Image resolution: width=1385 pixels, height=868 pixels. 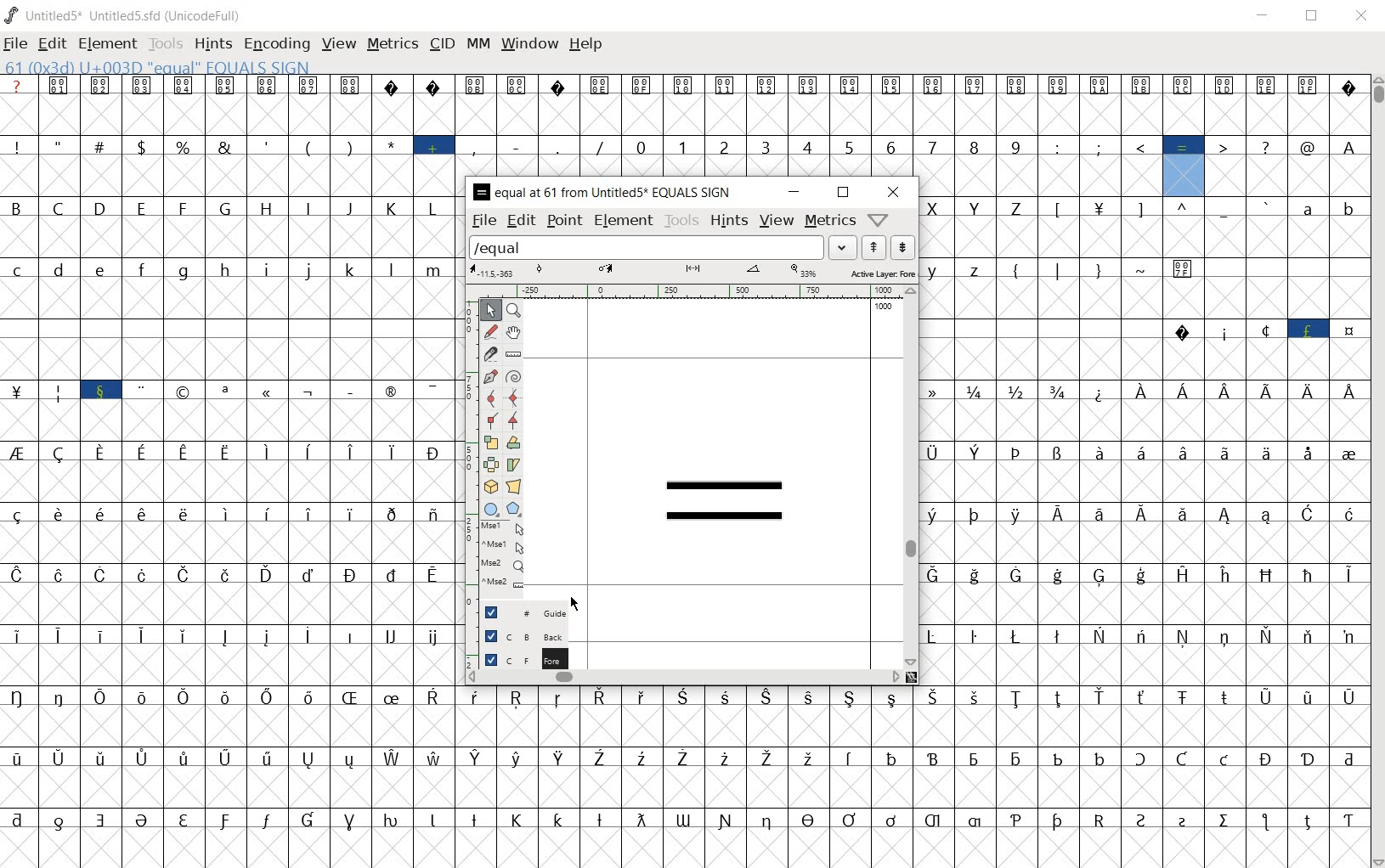 I want to click on perform a perspective transformation on the selection, so click(x=512, y=486).